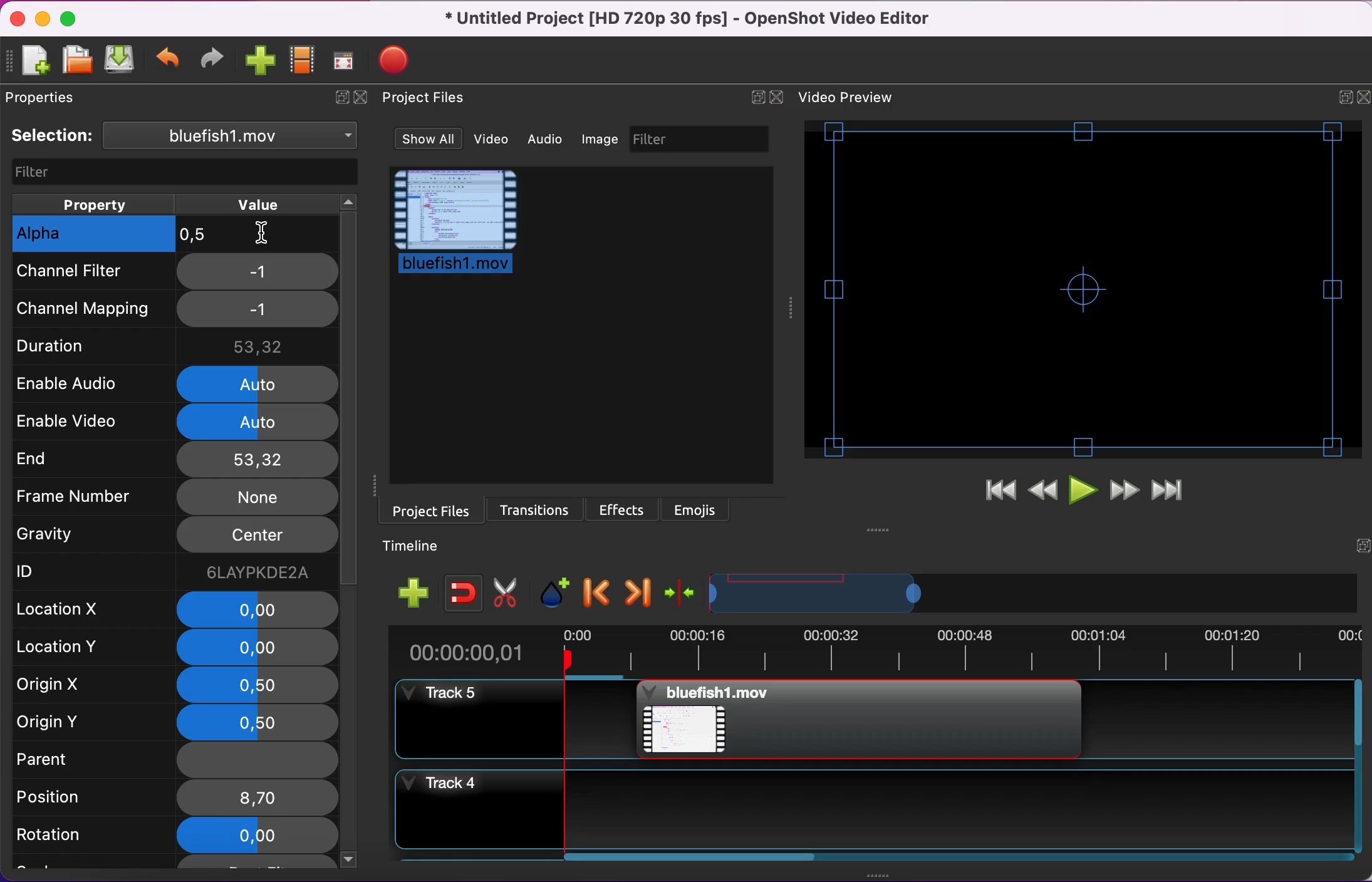 The height and width of the screenshot is (882, 1372). Describe the element at coordinates (955, 857) in the screenshot. I see `Horizontal slide bar` at that location.